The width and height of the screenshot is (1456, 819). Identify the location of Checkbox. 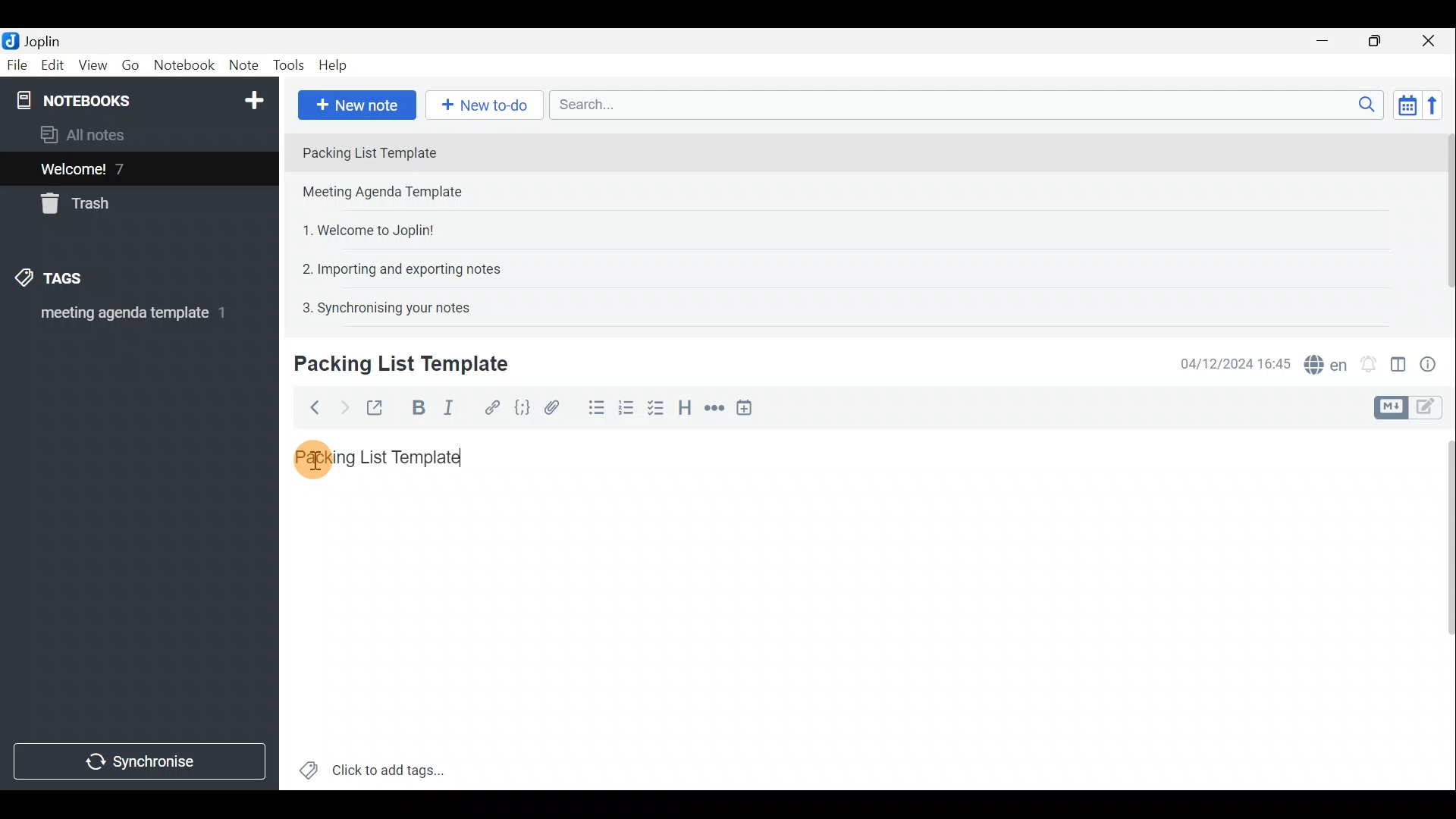
(661, 412).